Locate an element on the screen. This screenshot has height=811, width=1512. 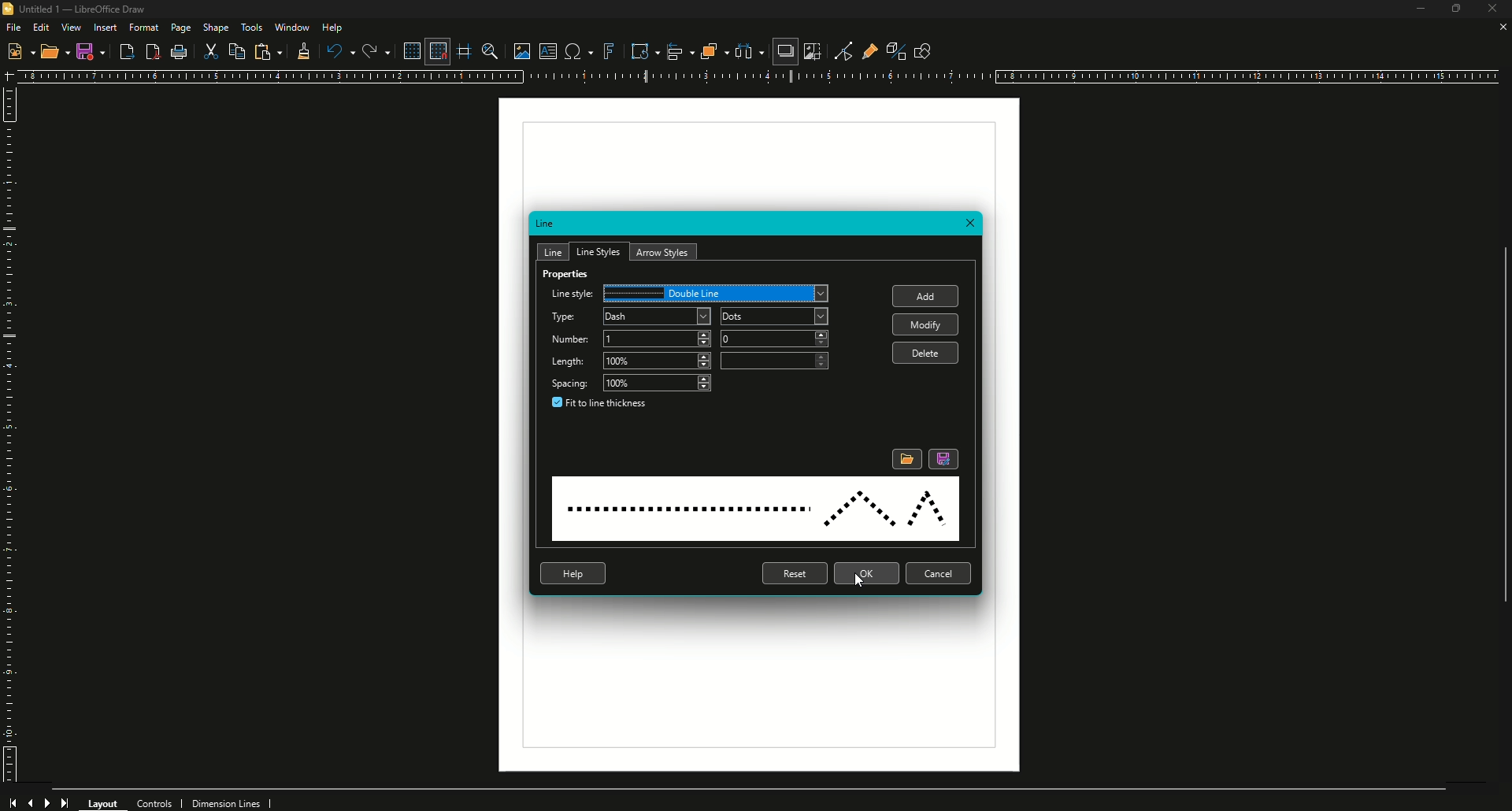
100% is located at coordinates (658, 383).